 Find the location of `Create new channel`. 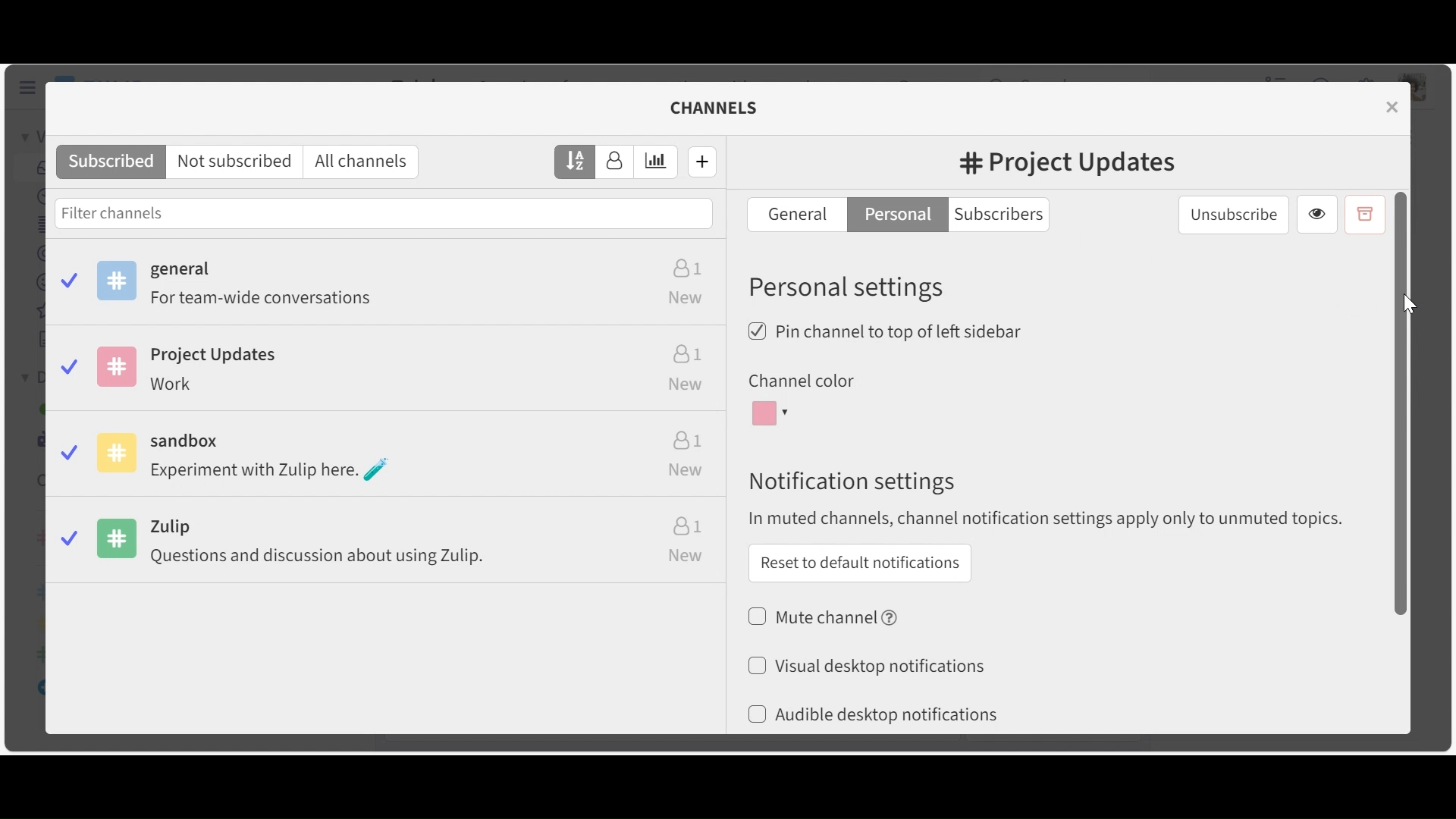

Create new channel is located at coordinates (703, 161).